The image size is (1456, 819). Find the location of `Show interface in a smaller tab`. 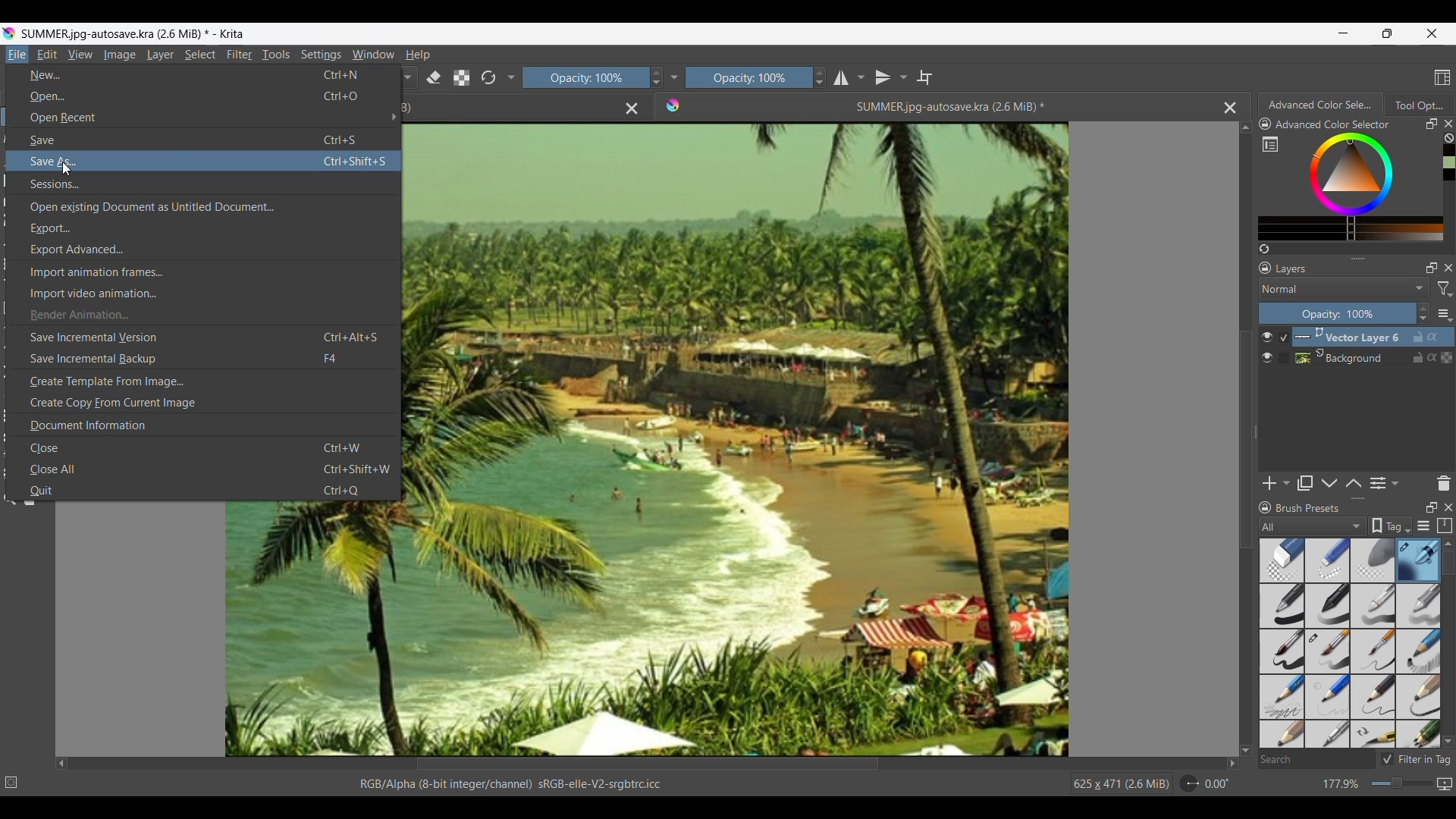

Show interface in a smaller tab is located at coordinates (1388, 33).